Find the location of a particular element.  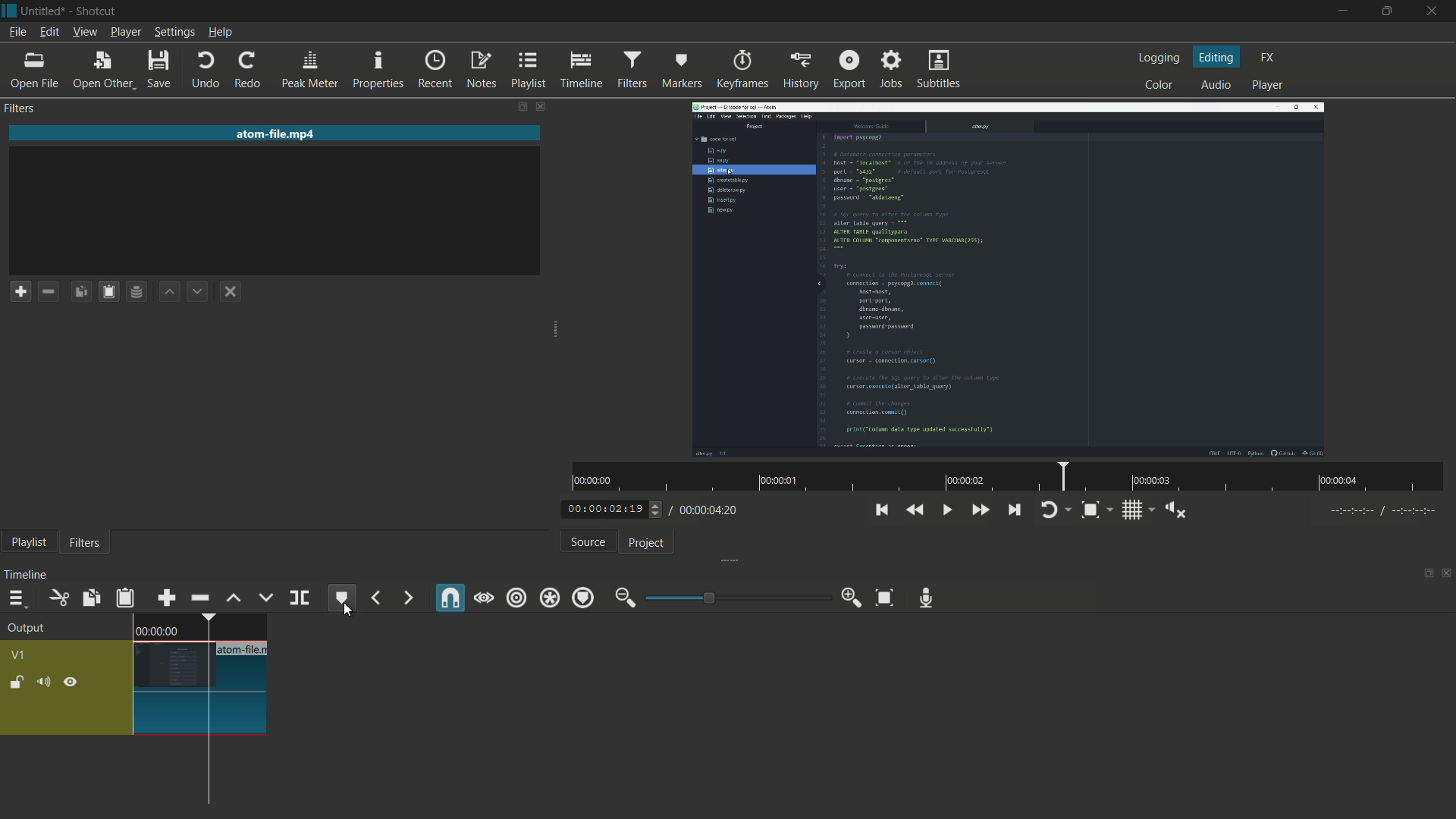

zoom out is located at coordinates (623, 599).